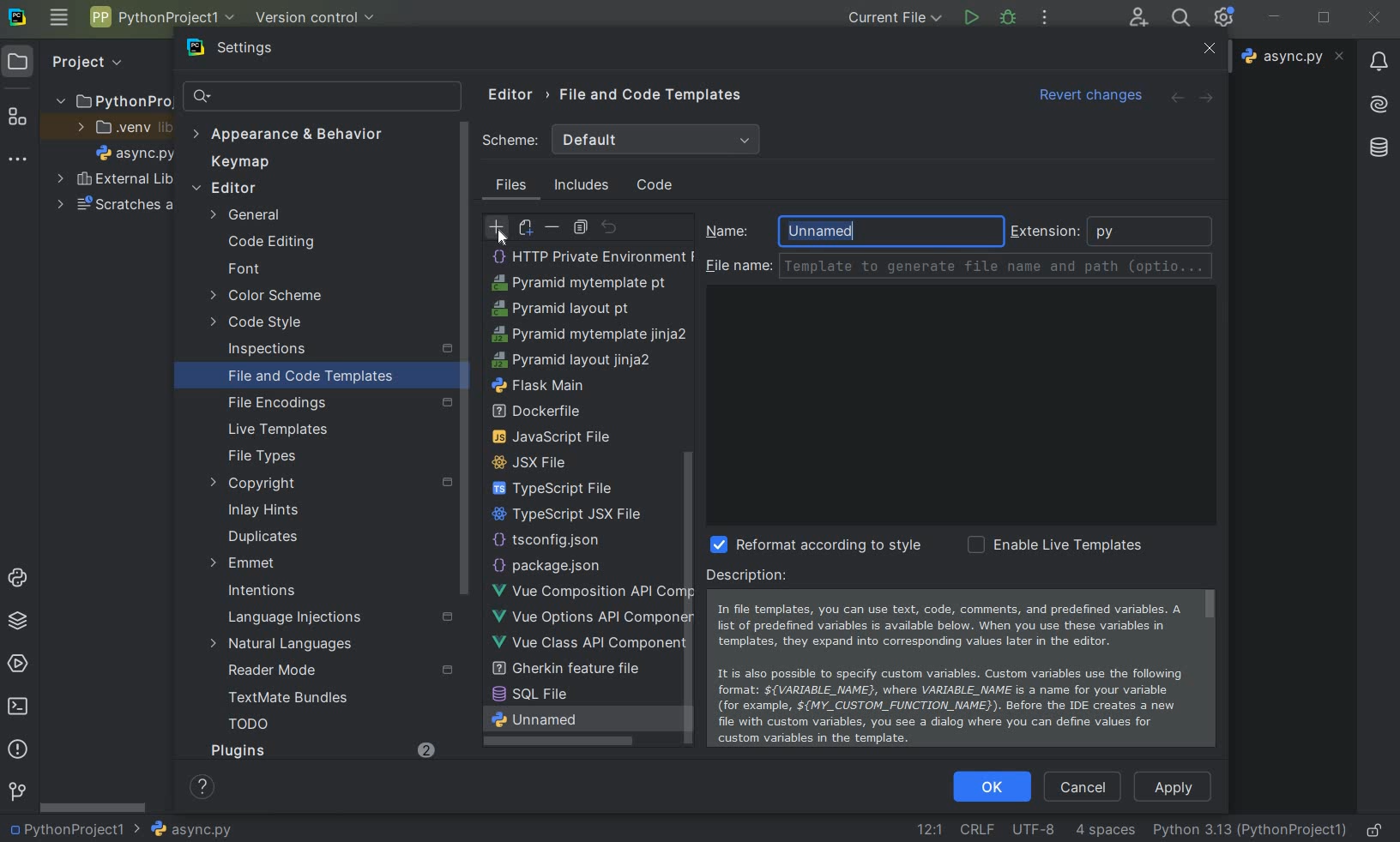 Image resolution: width=1400 pixels, height=842 pixels. Describe the element at coordinates (893, 19) in the screenshot. I see `current file` at that location.